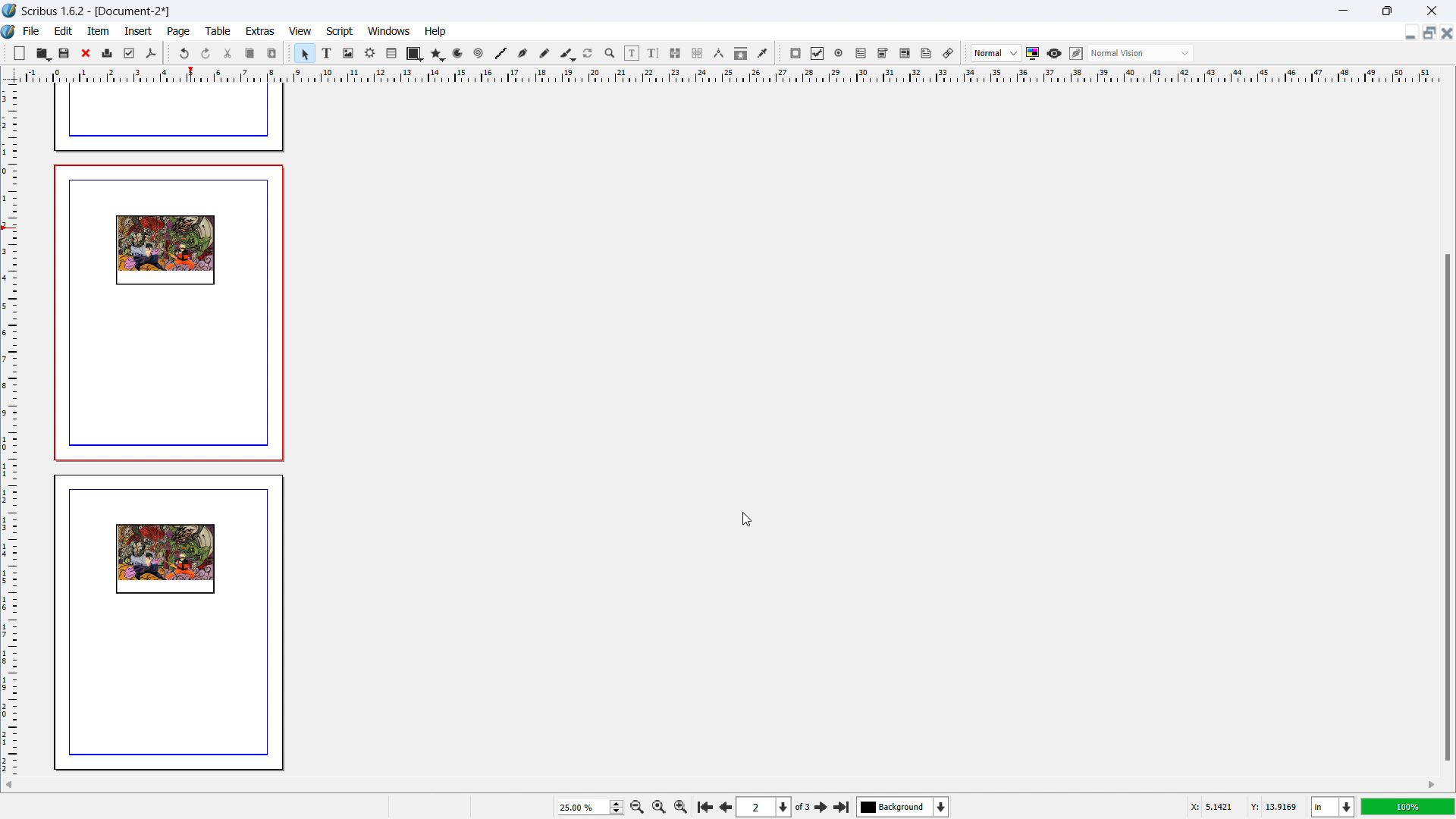  Describe the element at coordinates (632, 54) in the screenshot. I see `edit contents of the frame` at that location.